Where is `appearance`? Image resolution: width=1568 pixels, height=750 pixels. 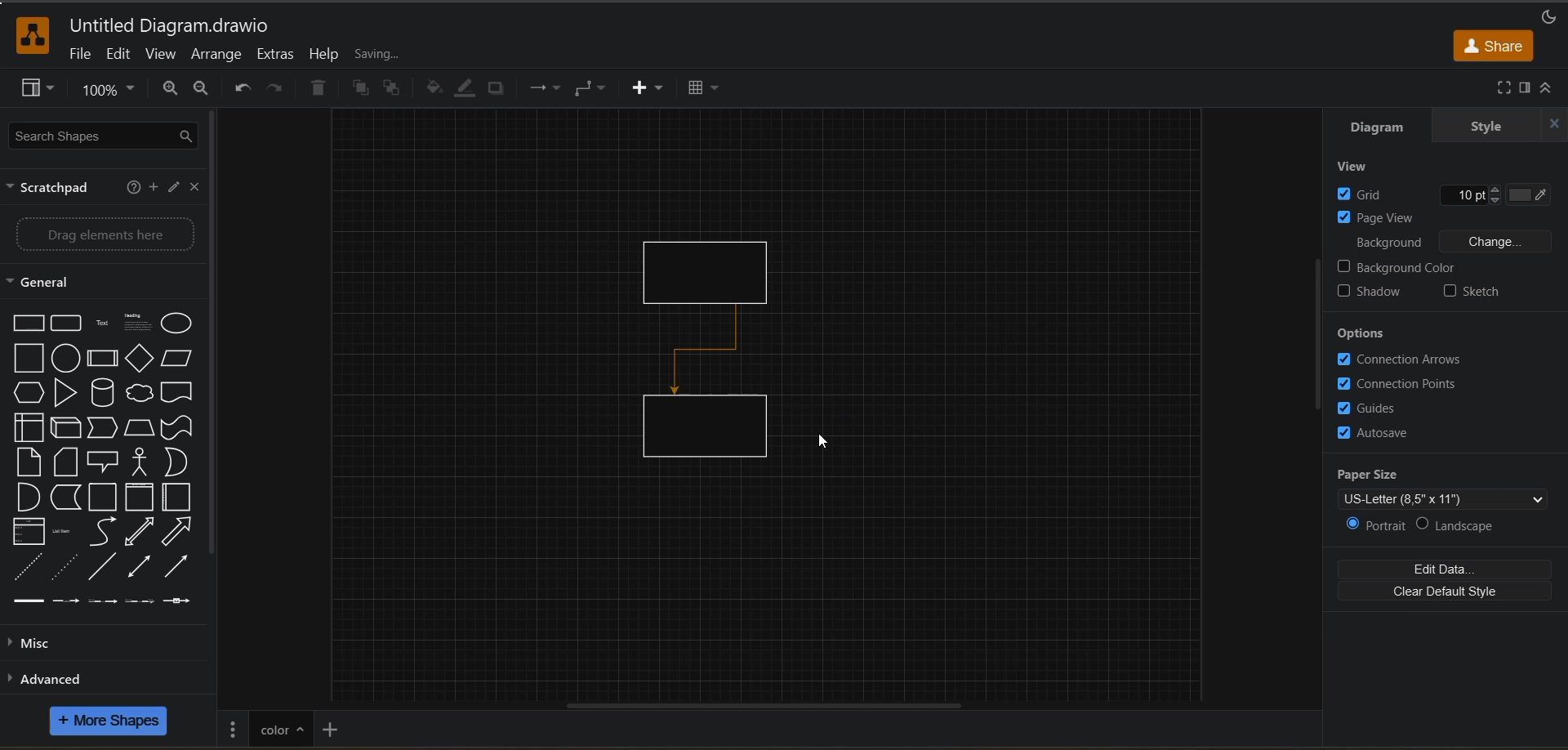 appearance is located at coordinates (1547, 14).